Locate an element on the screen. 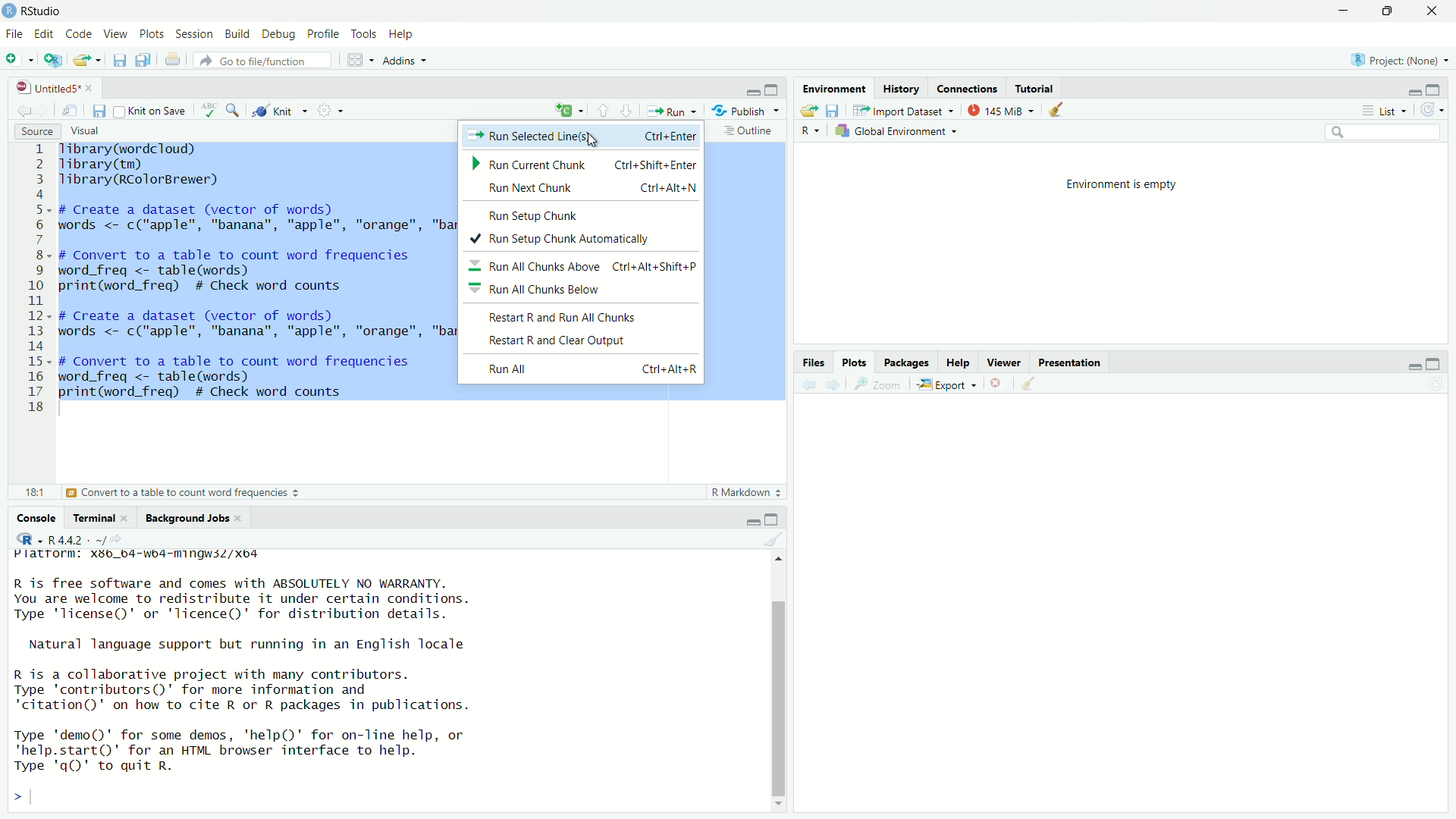 This screenshot has width=1456, height=819. Untitled is located at coordinates (56, 88).